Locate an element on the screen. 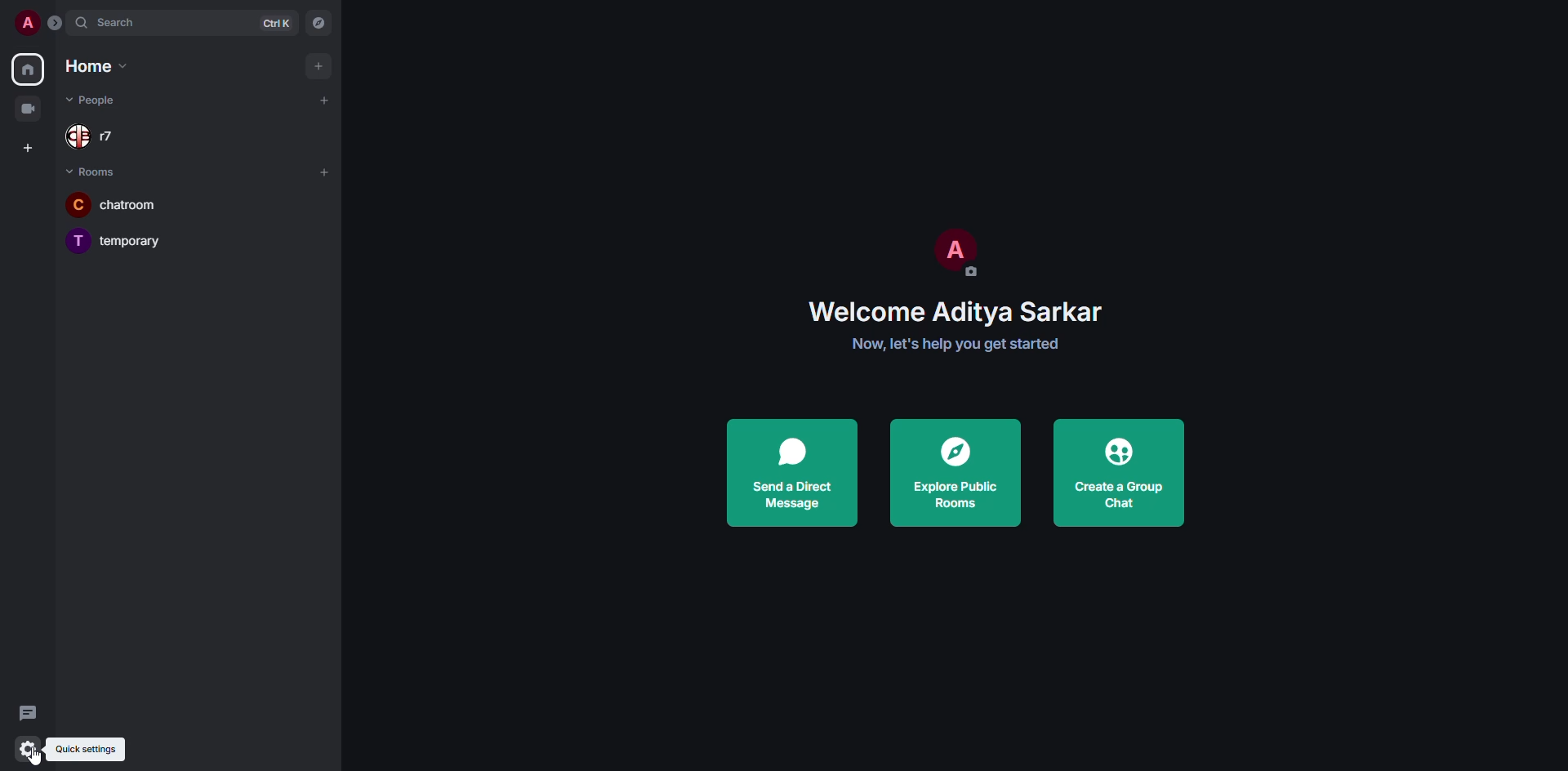 The width and height of the screenshot is (1568, 771). explore public rooms is located at coordinates (954, 470).